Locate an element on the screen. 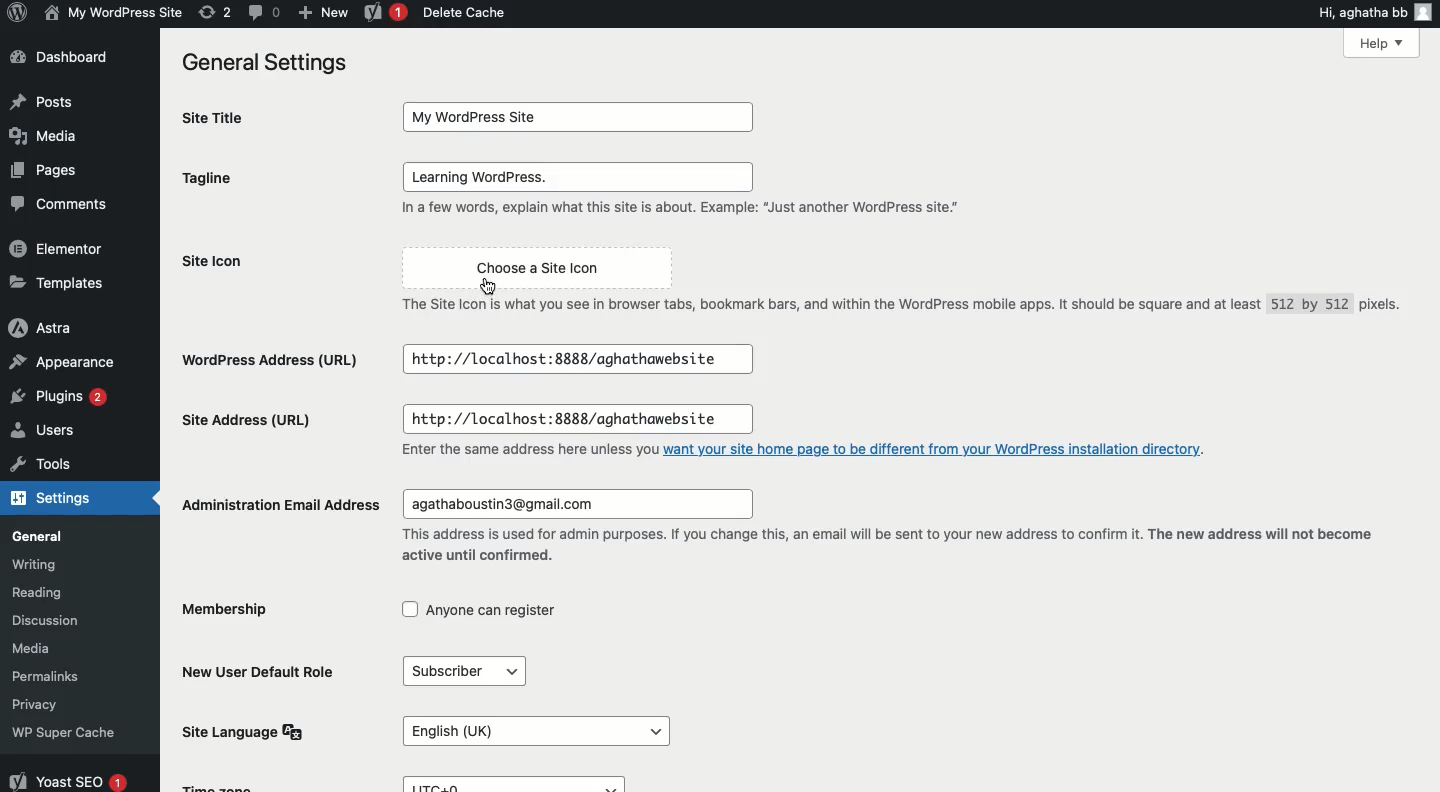 The image size is (1440, 792). In a few words, explain what this site is about. Example: “Just another WordPress site.” is located at coordinates (679, 212).